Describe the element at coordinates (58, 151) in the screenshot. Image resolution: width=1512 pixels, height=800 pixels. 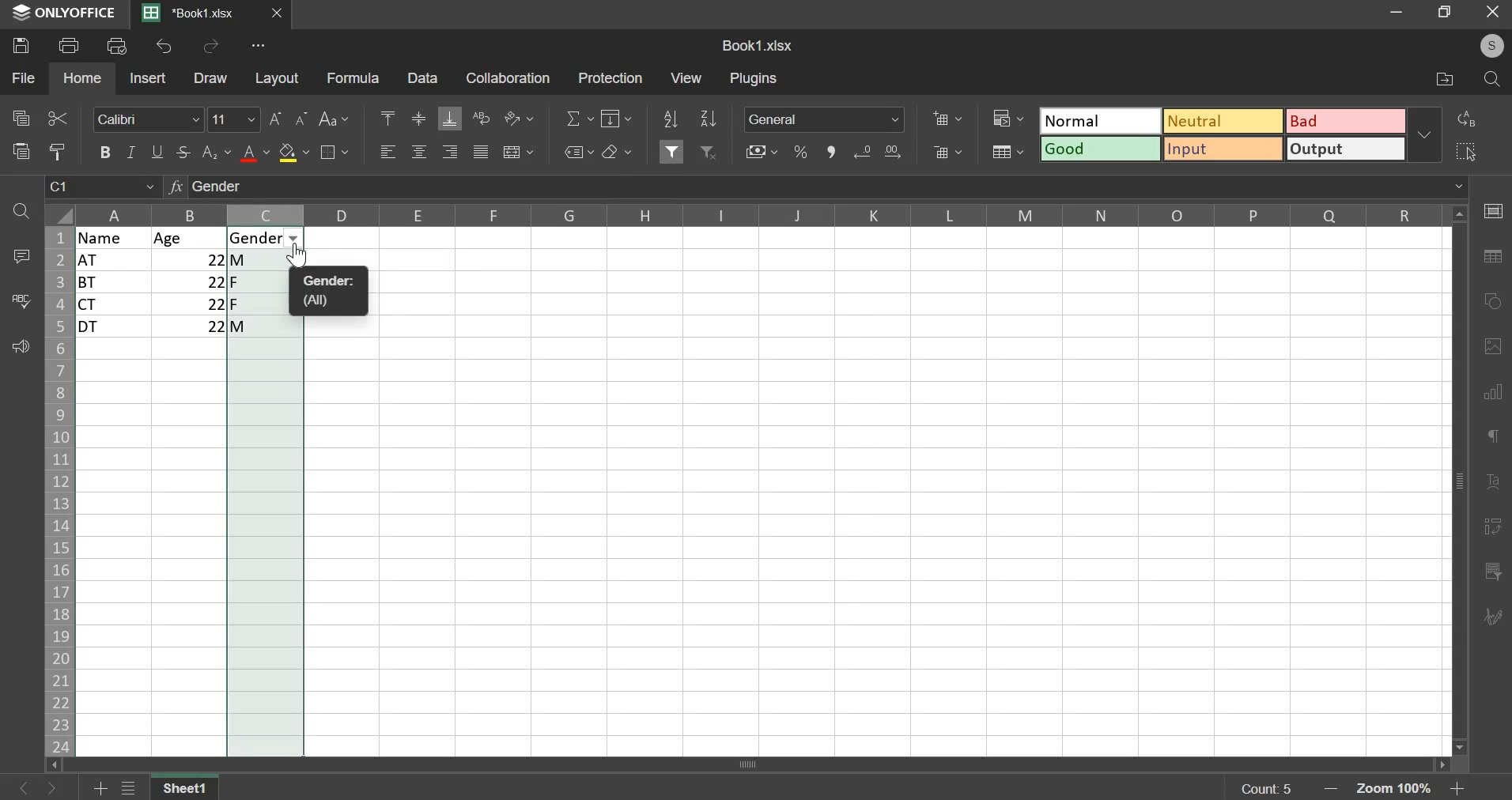
I see `copy style` at that location.